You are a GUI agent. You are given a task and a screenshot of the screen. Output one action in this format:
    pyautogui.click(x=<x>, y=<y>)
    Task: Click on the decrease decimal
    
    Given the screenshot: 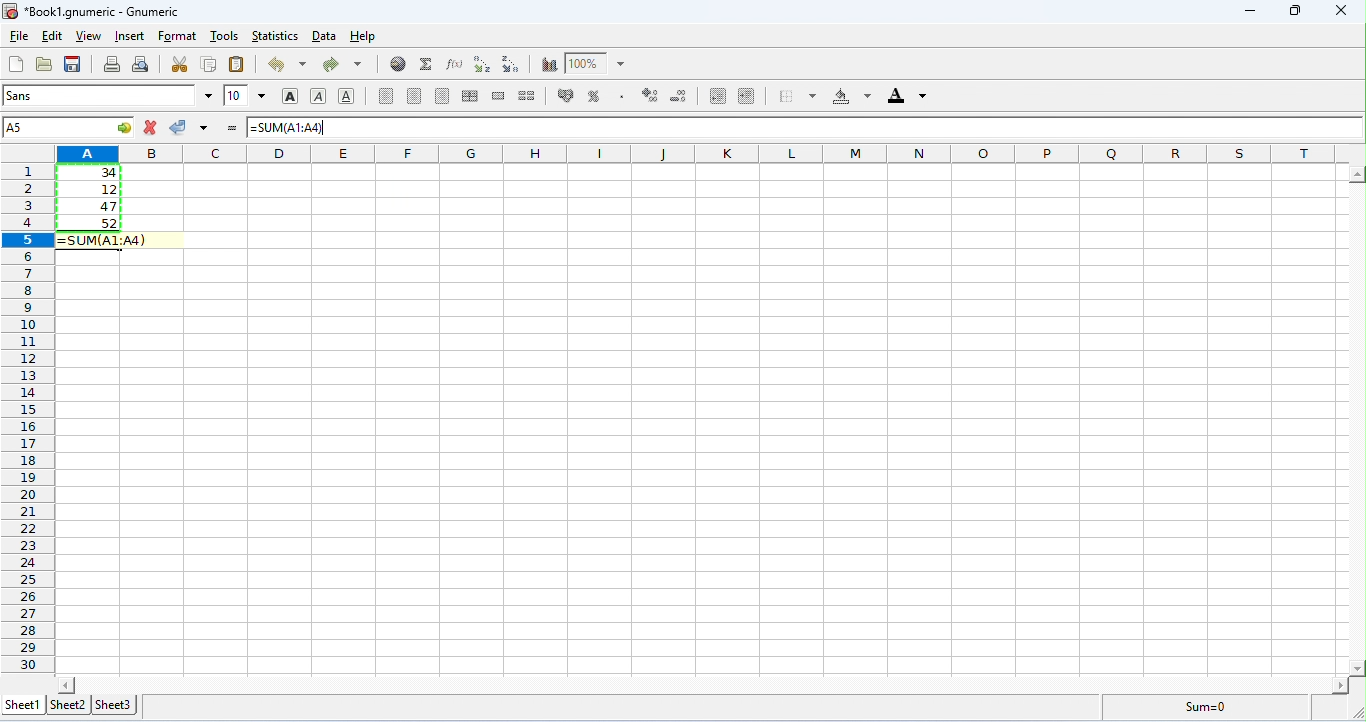 What is the action you would take?
    pyautogui.click(x=680, y=96)
    